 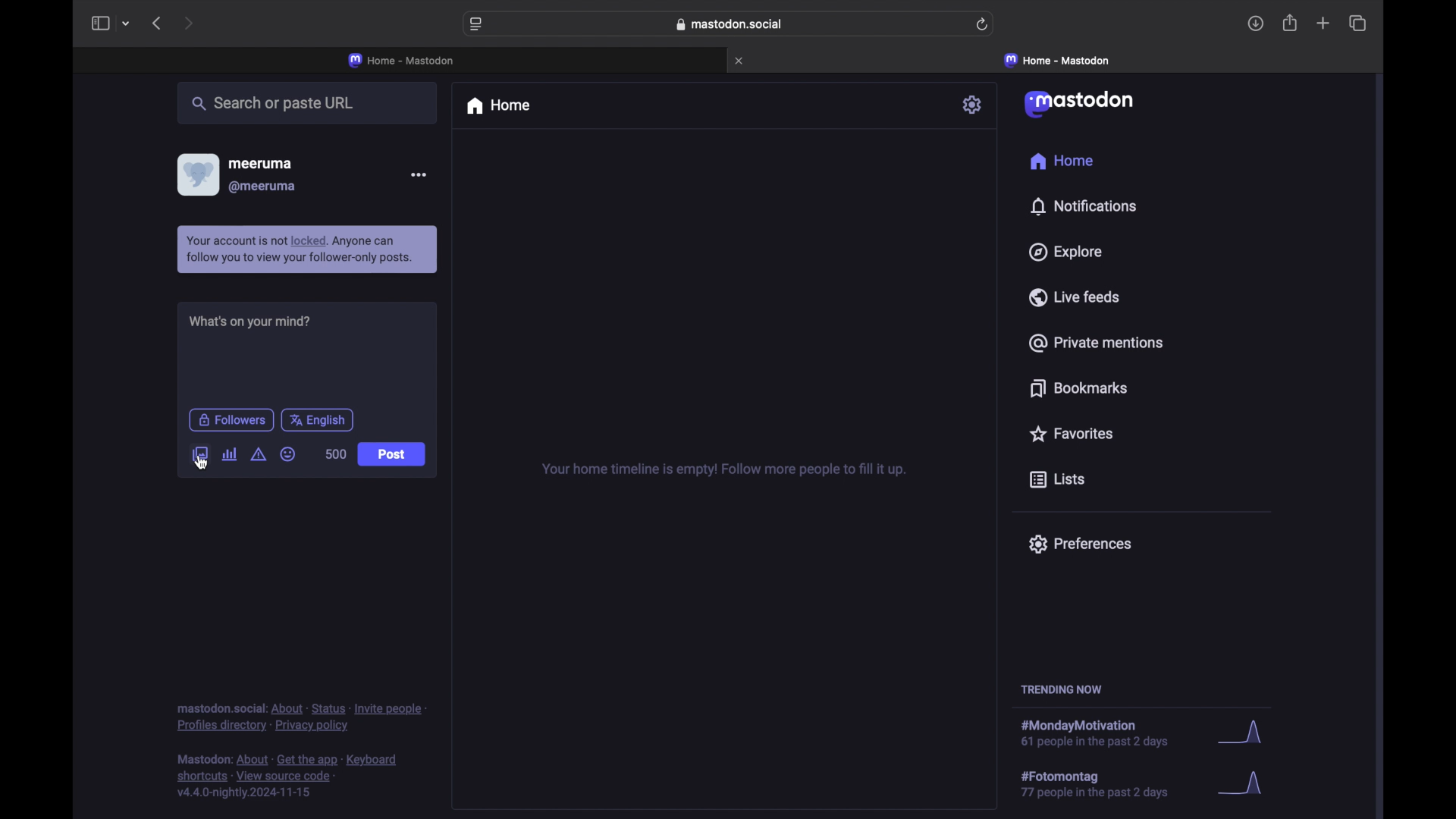 I want to click on new tab, so click(x=1323, y=24).